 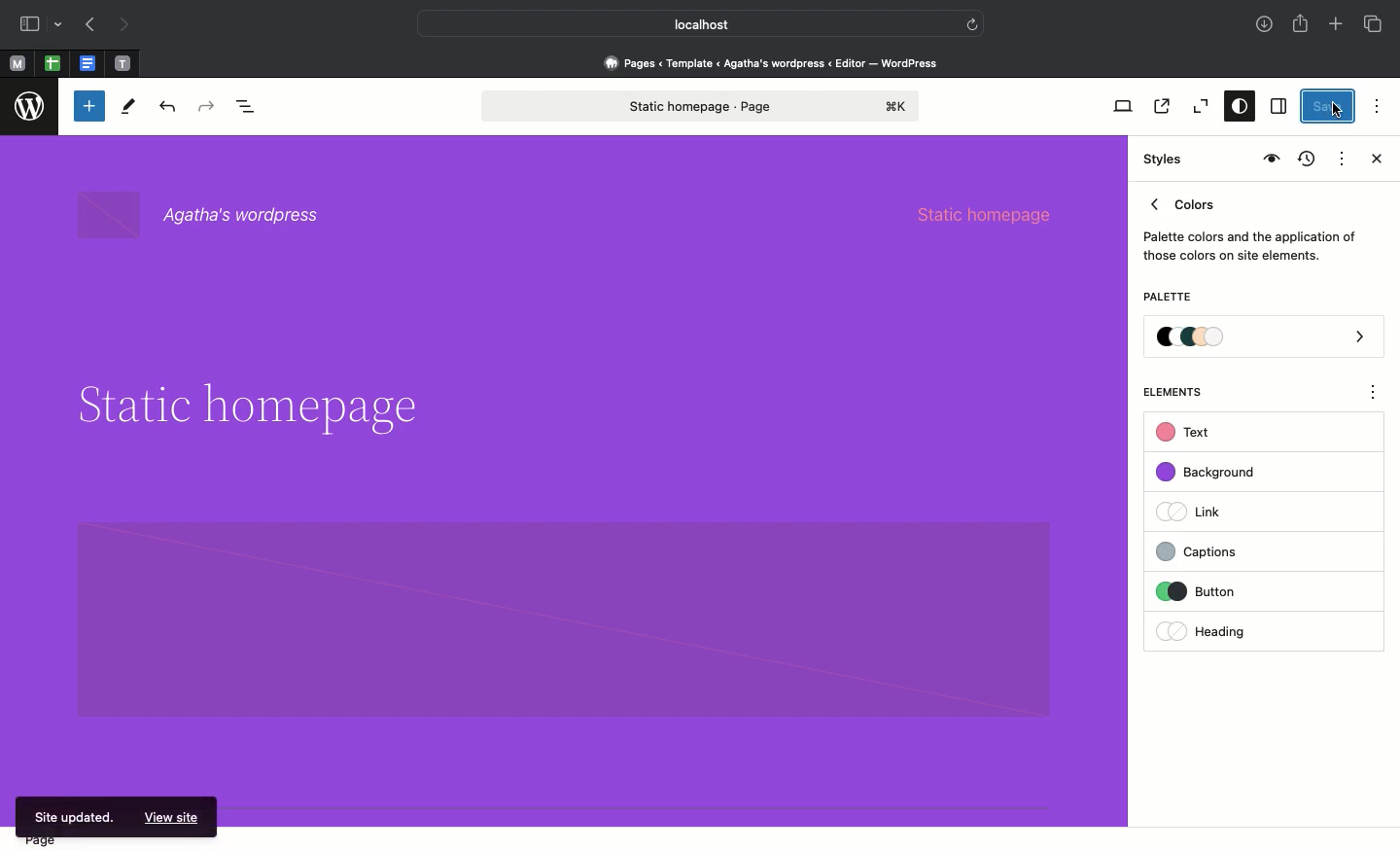 I want to click on Settings, so click(x=1277, y=107).